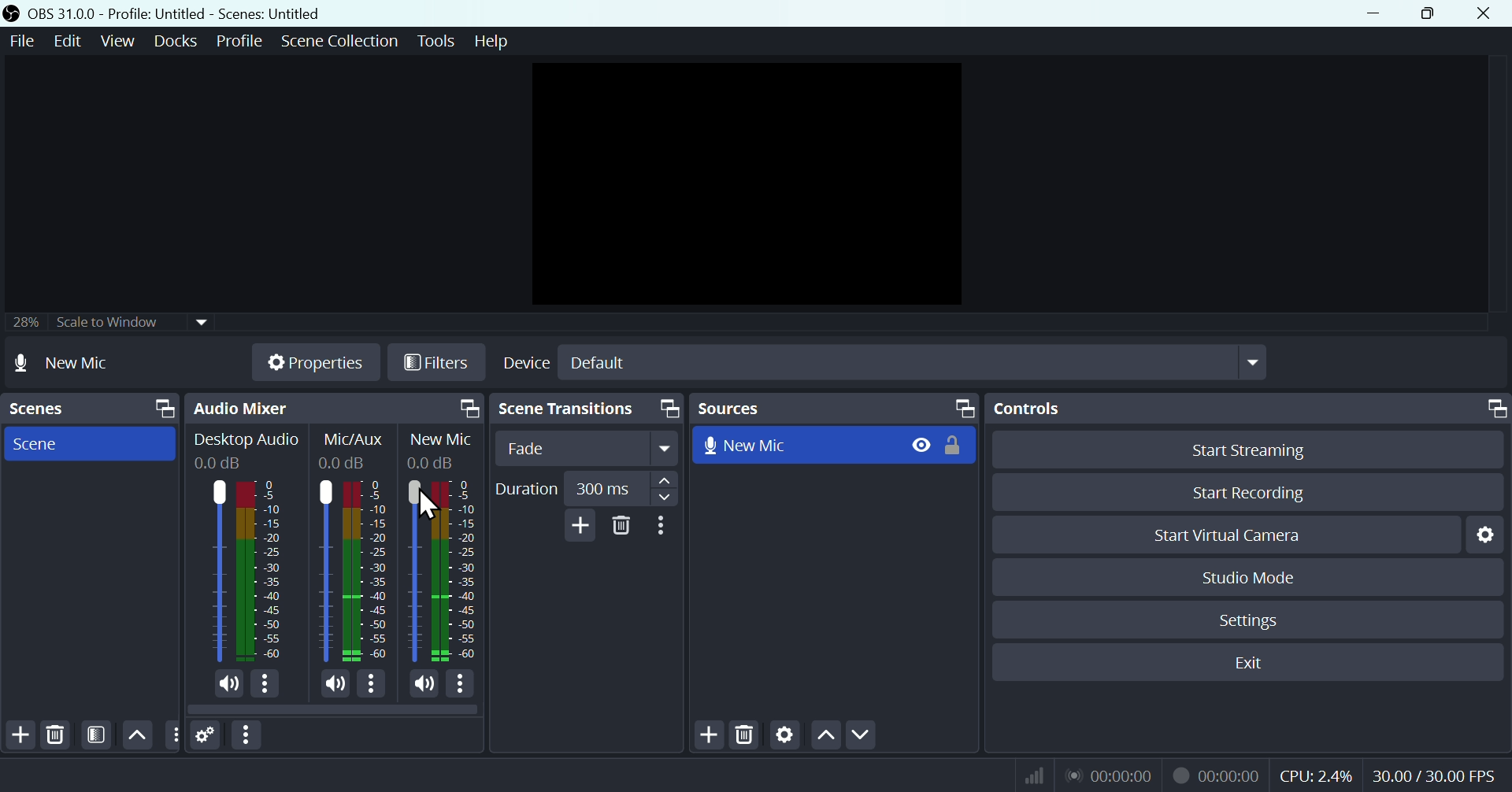 This screenshot has height=792, width=1512. Describe the element at coordinates (825, 738) in the screenshot. I see `Up` at that location.